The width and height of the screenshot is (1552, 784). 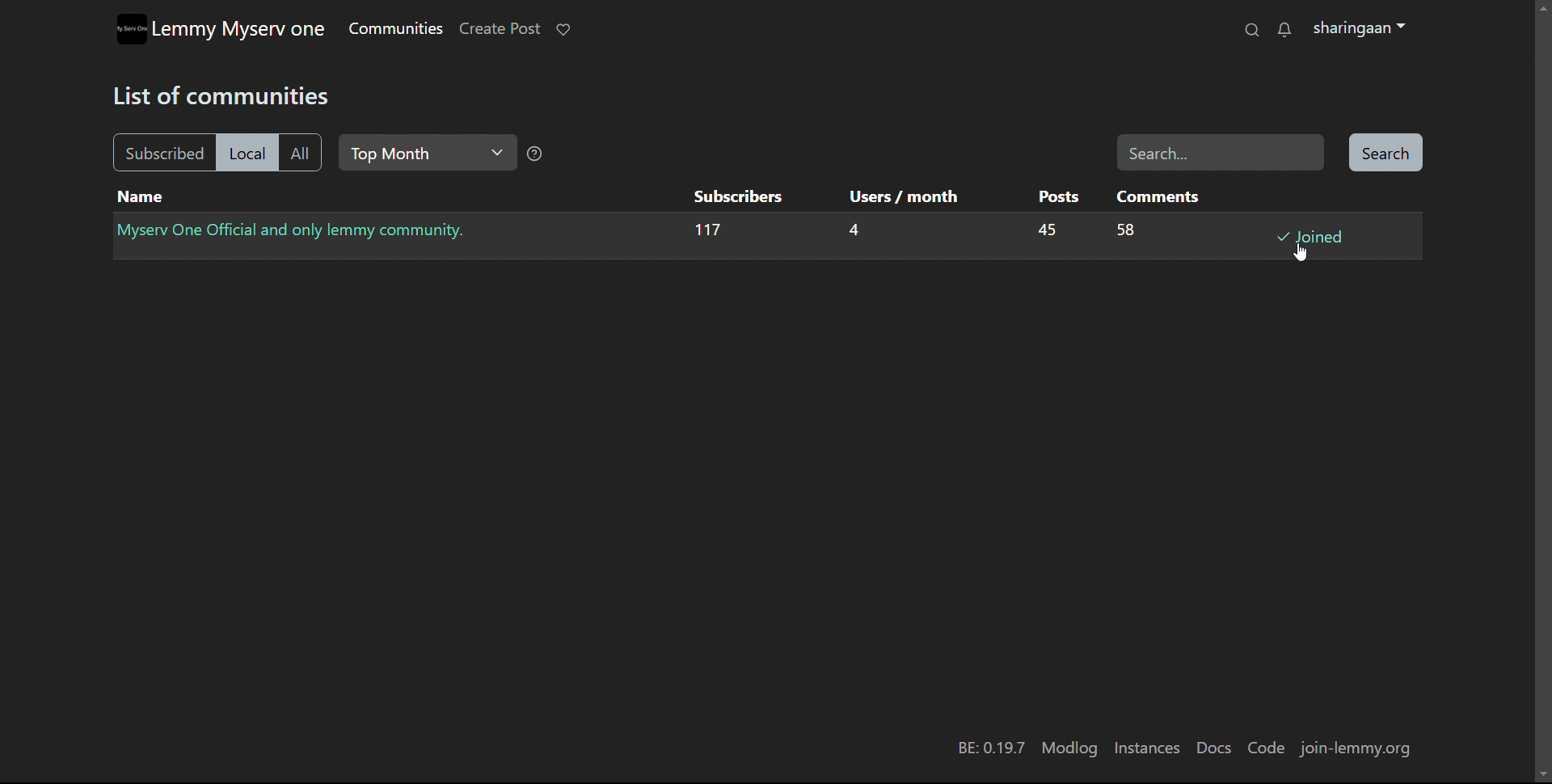 What do you see at coordinates (1360, 29) in the screenshot?
I see `profile` at bounding box center [1360, 29].